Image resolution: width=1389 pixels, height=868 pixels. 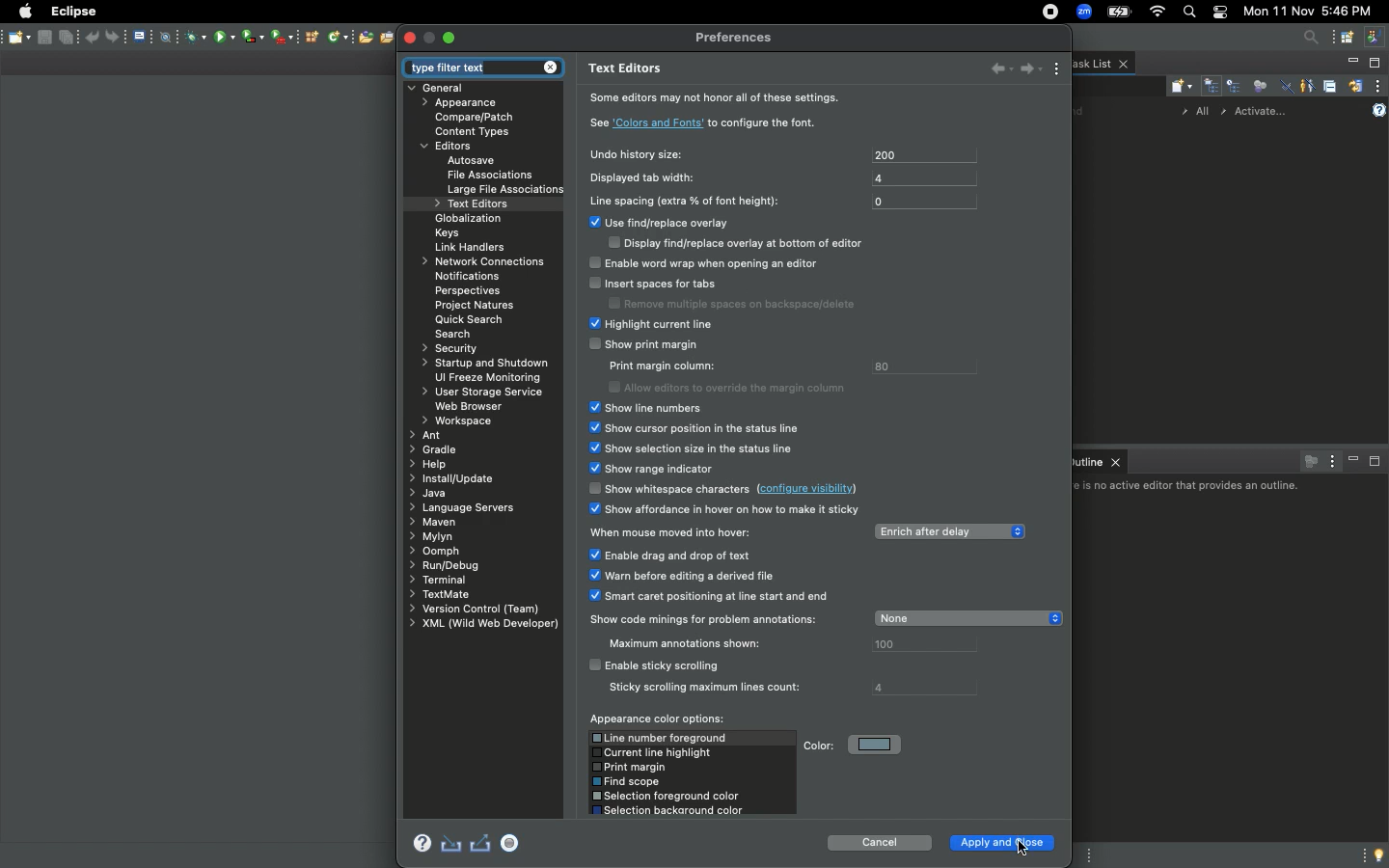 I want to click on Import, so click(x=449, y=843).